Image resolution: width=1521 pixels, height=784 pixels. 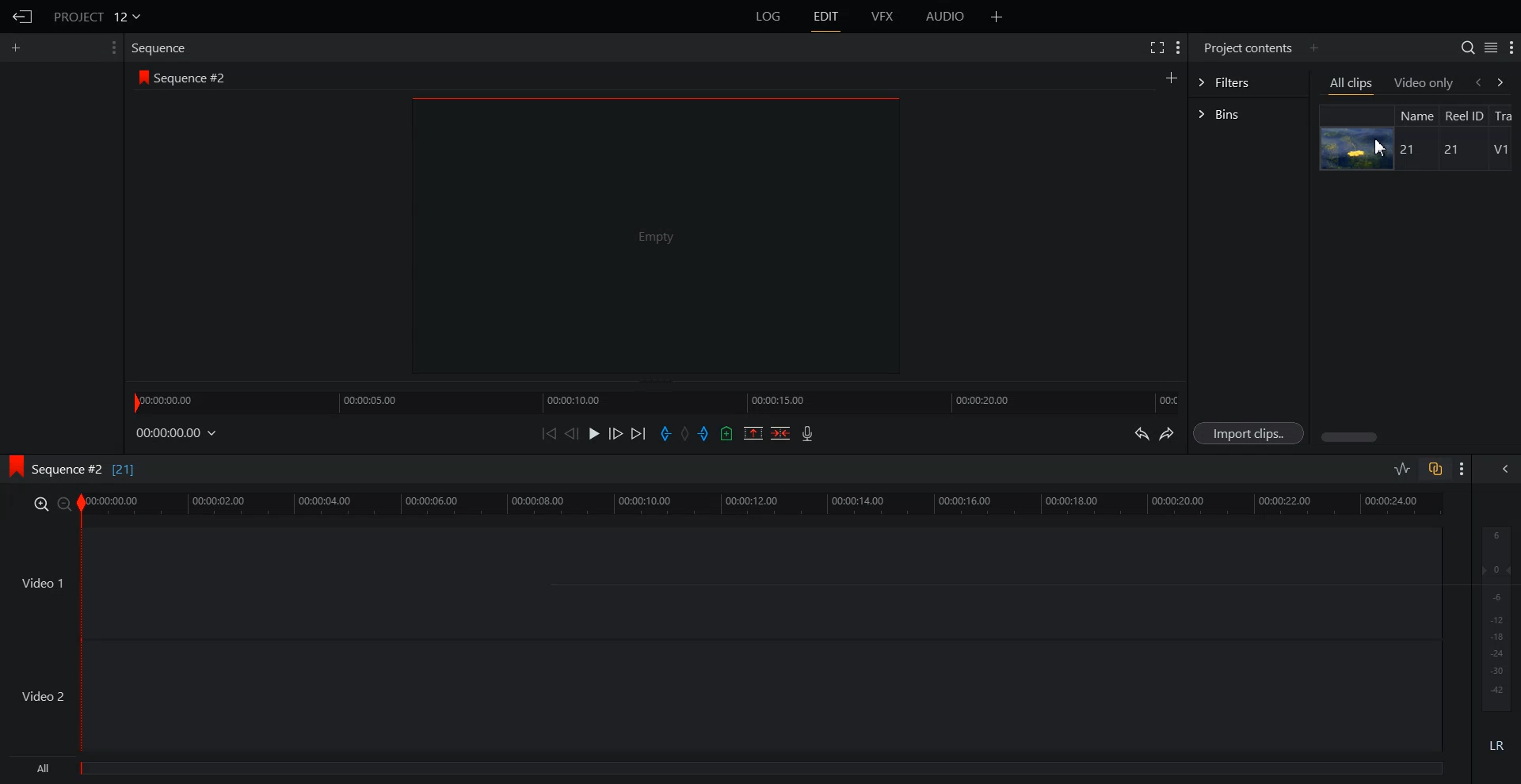 I want to click on Add Panel, so click(x=17, y=48).